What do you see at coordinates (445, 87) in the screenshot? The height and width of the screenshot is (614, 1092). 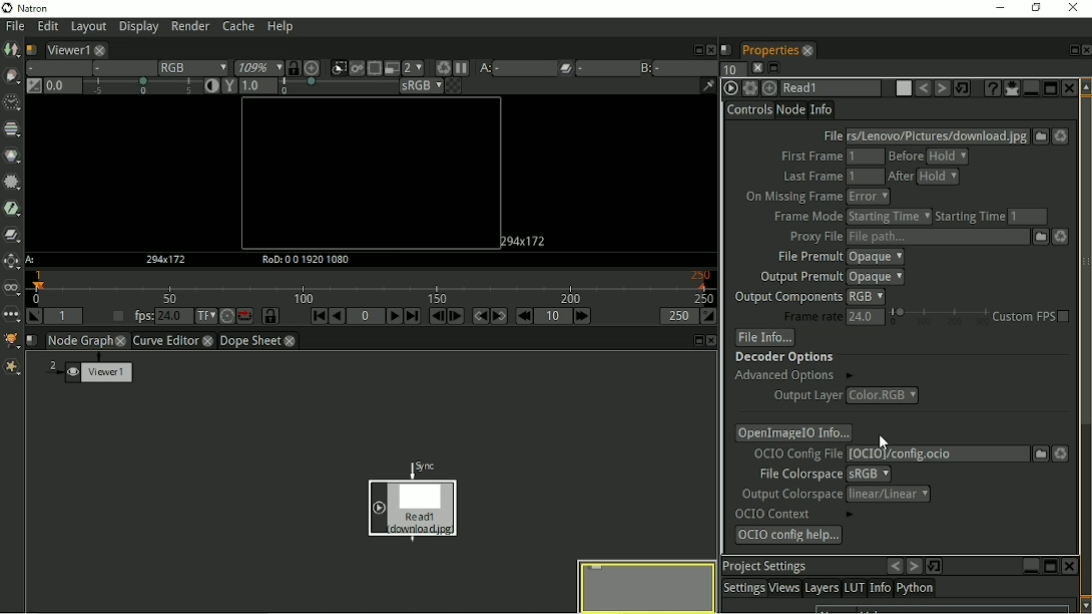 I see `Checkerboard` at bounding box center [445, 87].